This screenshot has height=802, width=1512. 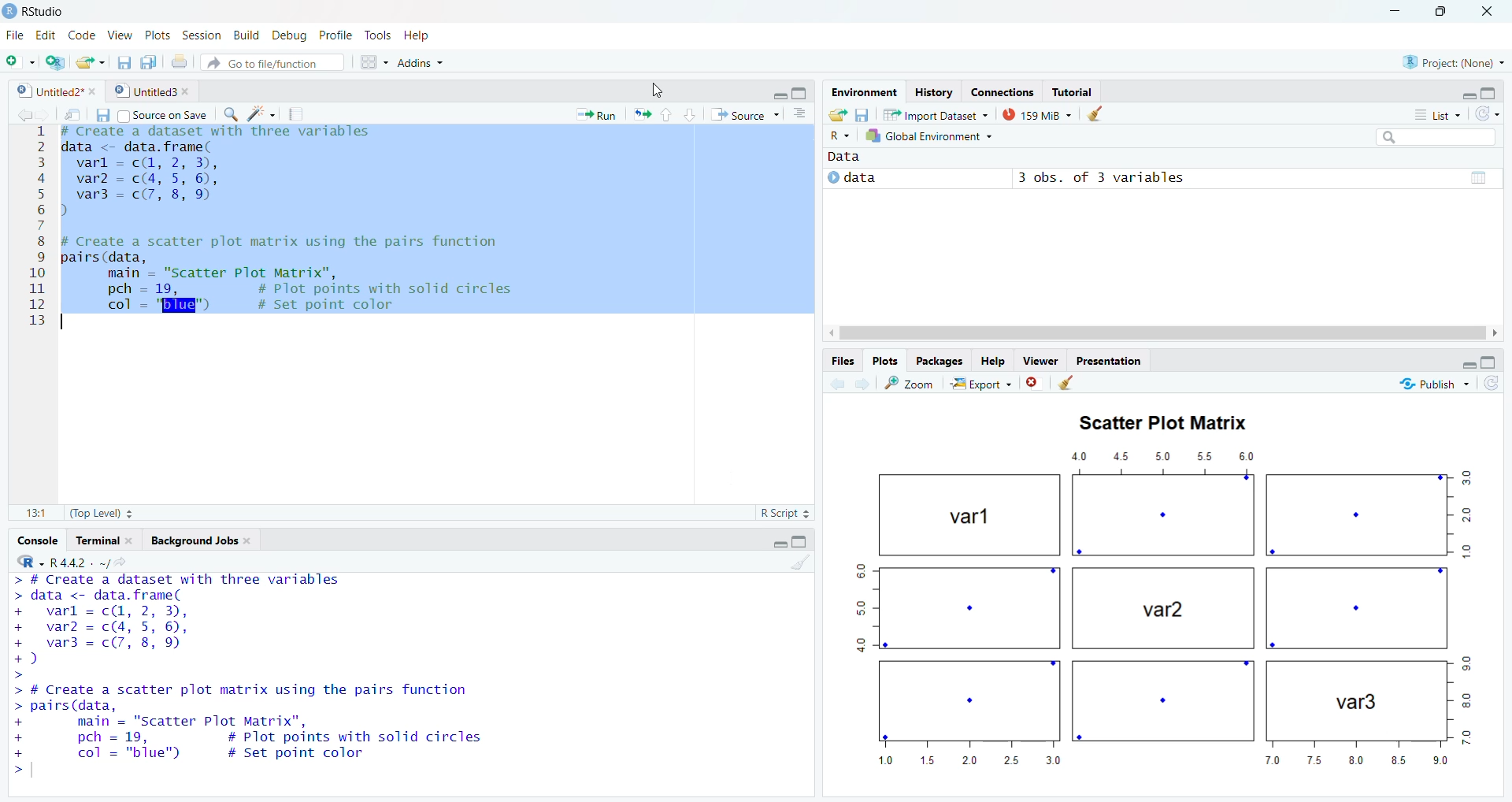 What do you see at coordinates (664, 113) in the screenshot?
I see `Rerun the previous code` at bounding box center [664, 113].